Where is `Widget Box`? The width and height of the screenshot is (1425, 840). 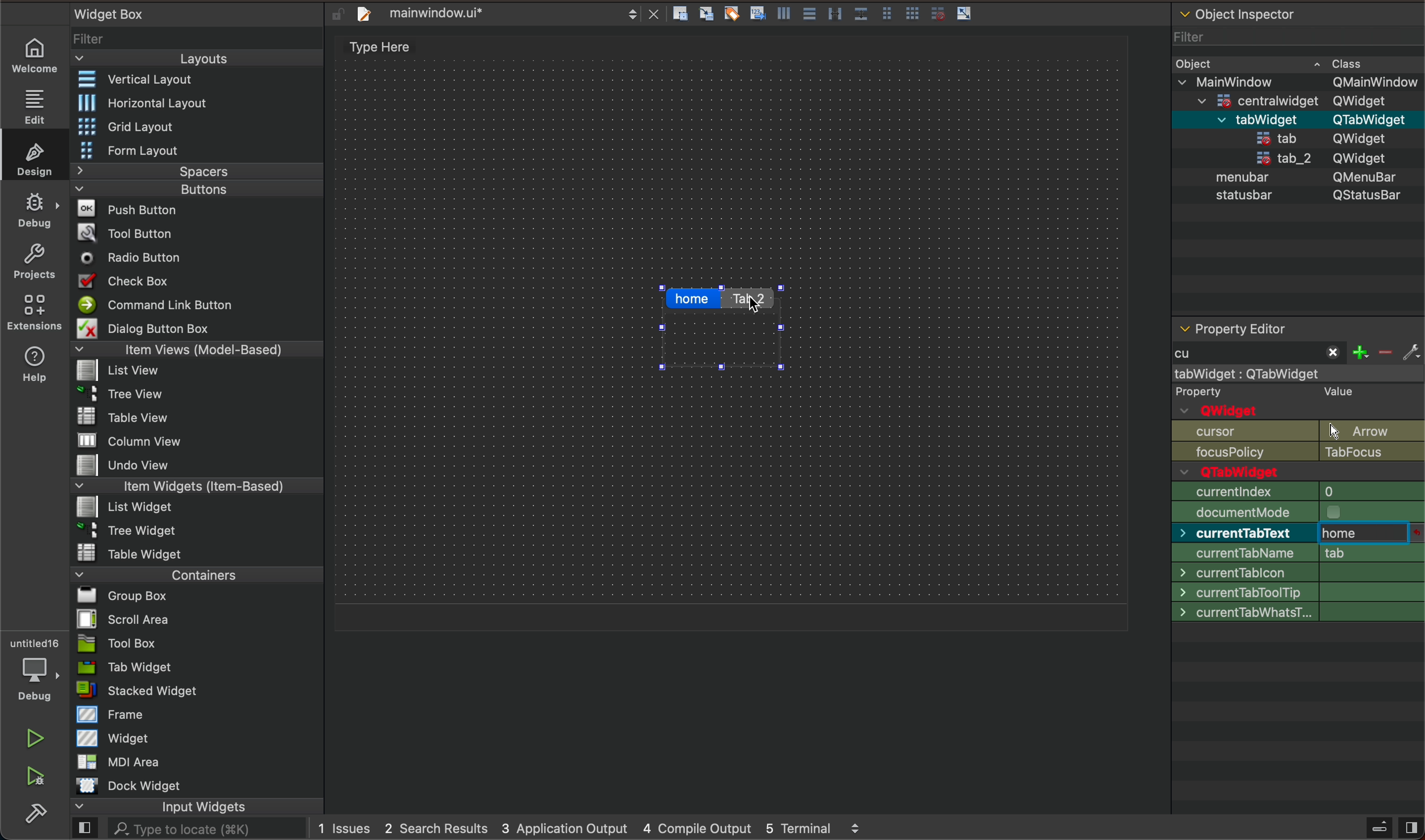
Widget Box is located at coordinates (105, 14).